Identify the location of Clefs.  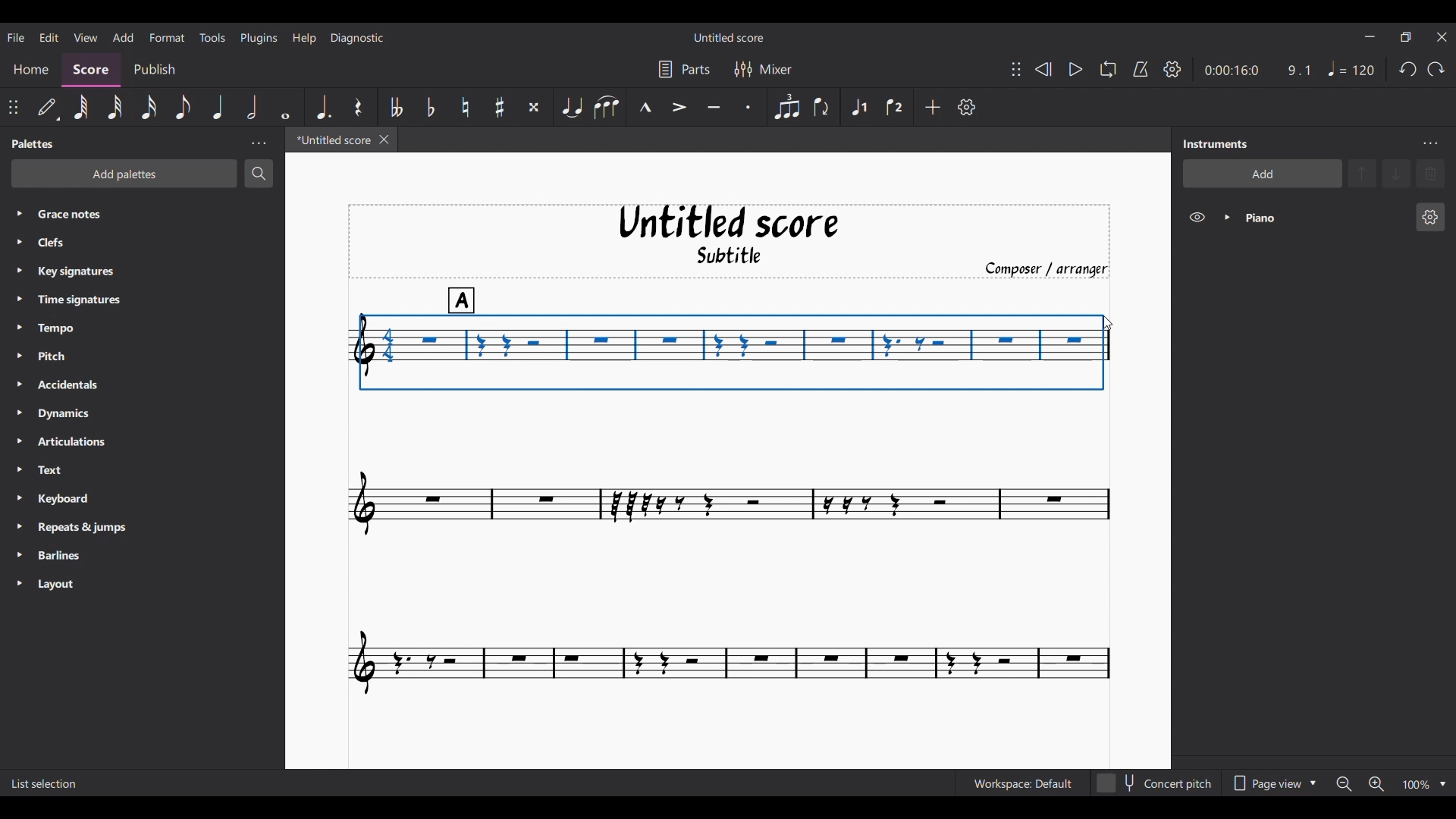
(121, 243).